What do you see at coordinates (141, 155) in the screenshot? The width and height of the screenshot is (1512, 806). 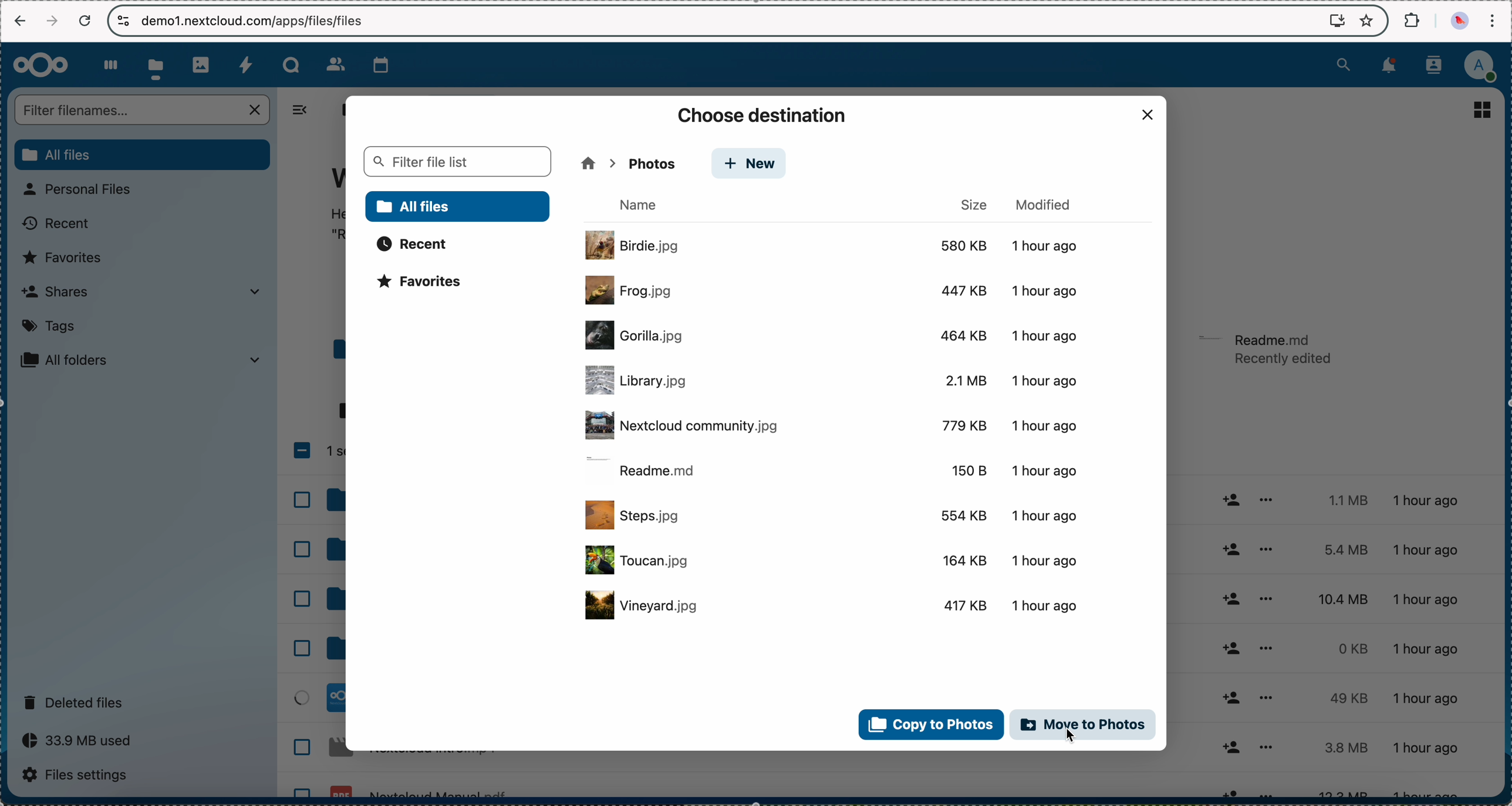 I see `all files` at bounding box center [141, 155].